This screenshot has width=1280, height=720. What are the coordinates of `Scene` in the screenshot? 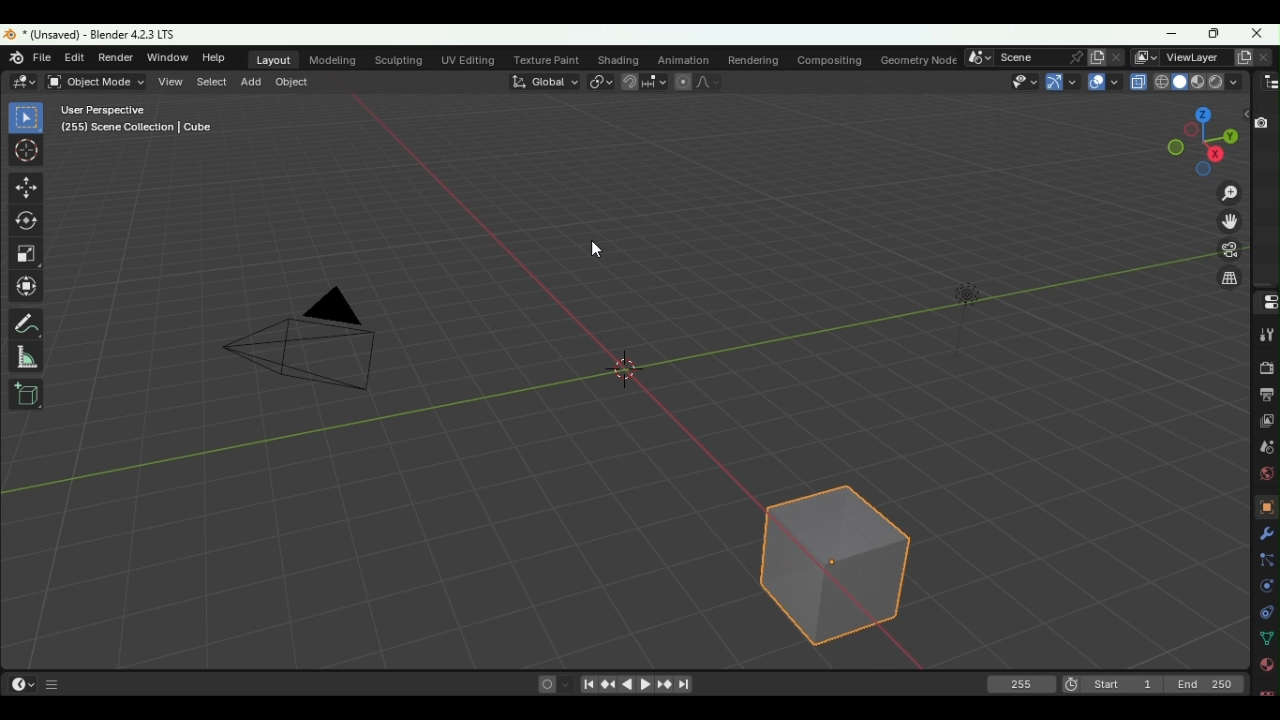 It's located at (1265, 447).